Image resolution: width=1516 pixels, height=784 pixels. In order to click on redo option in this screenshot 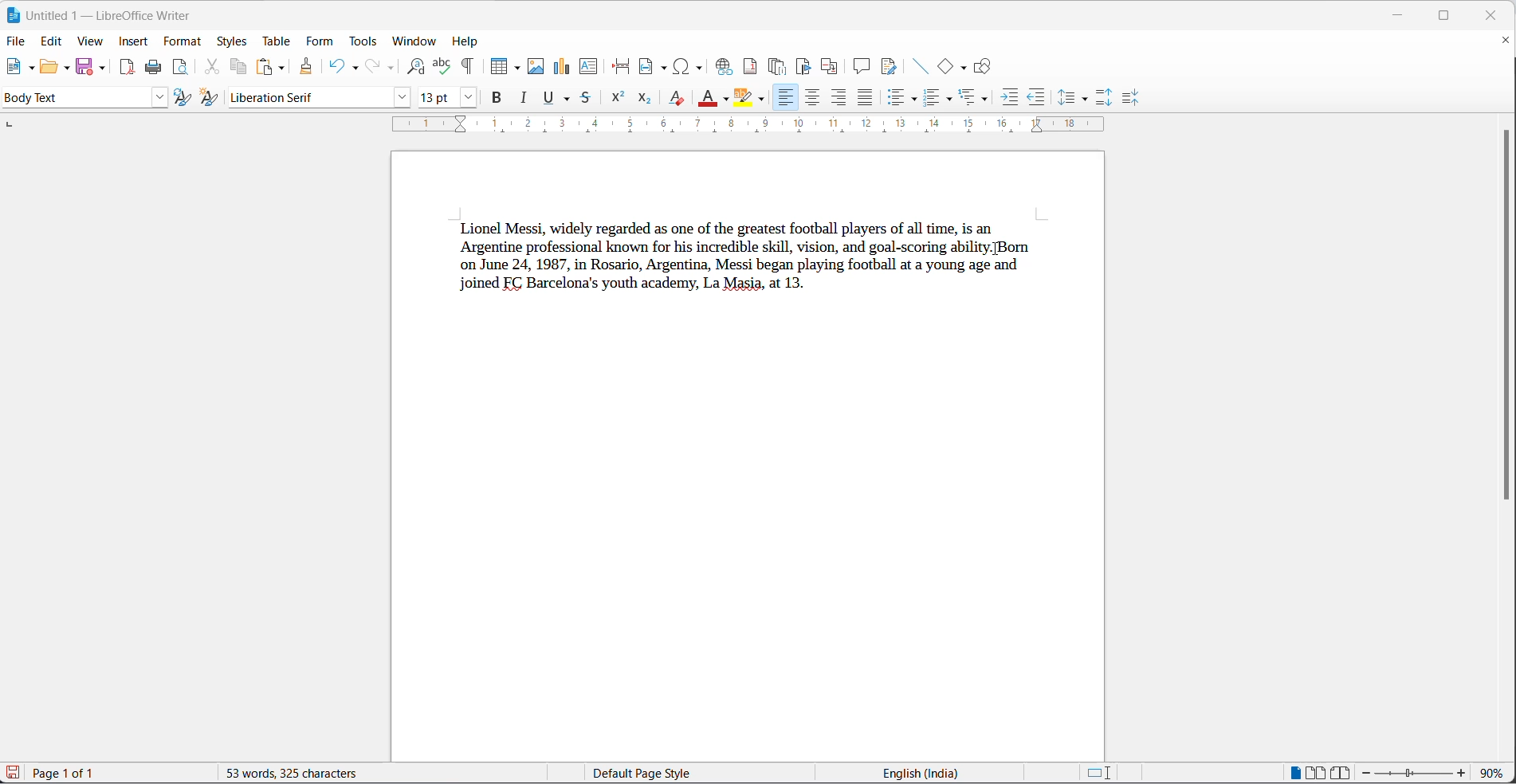, I will do `click(393, 69)`.